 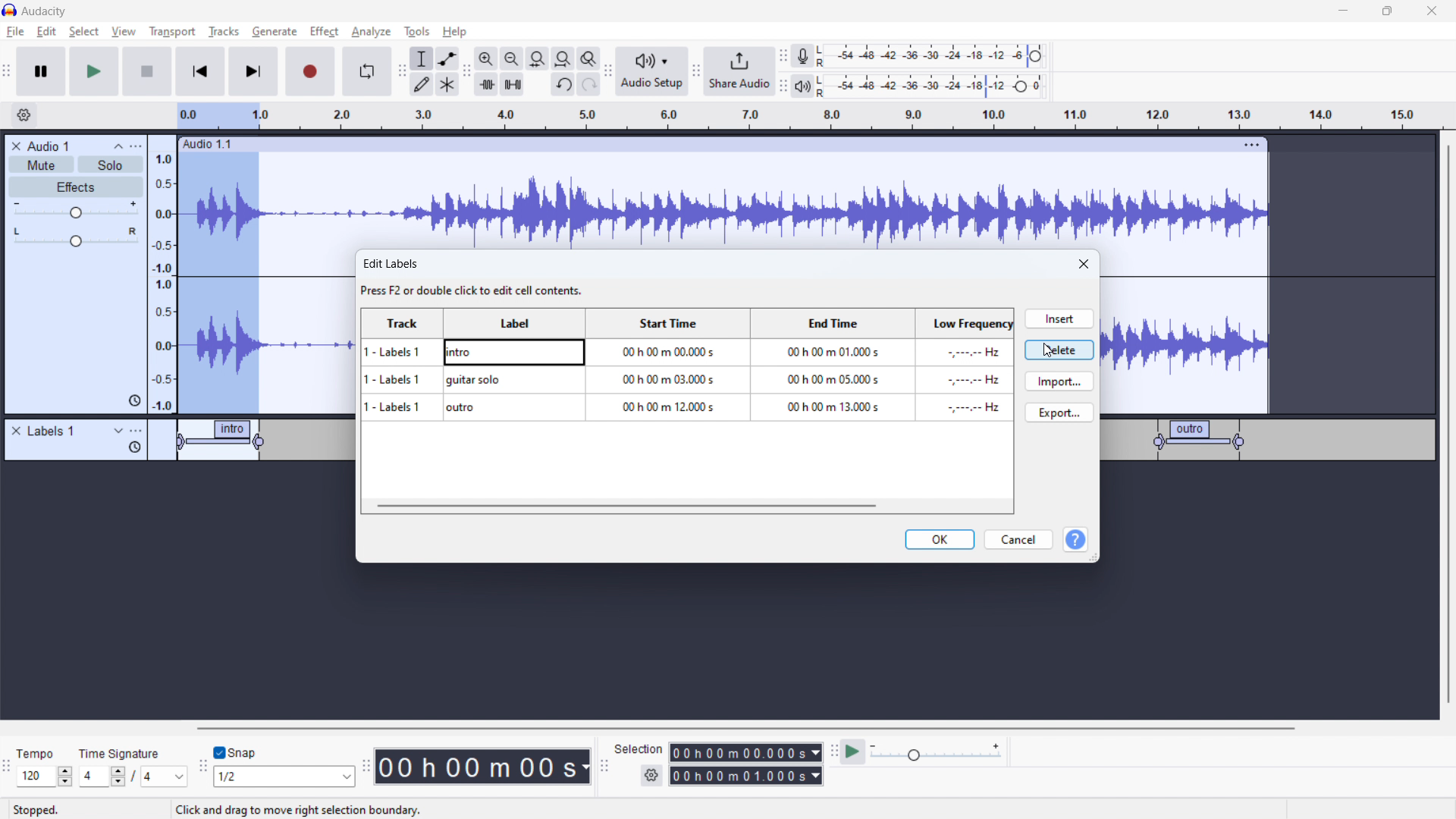 What do you see at coordinates (839, 116) in the screenshot?
I see `timeline` at bounding box center [839, 116].